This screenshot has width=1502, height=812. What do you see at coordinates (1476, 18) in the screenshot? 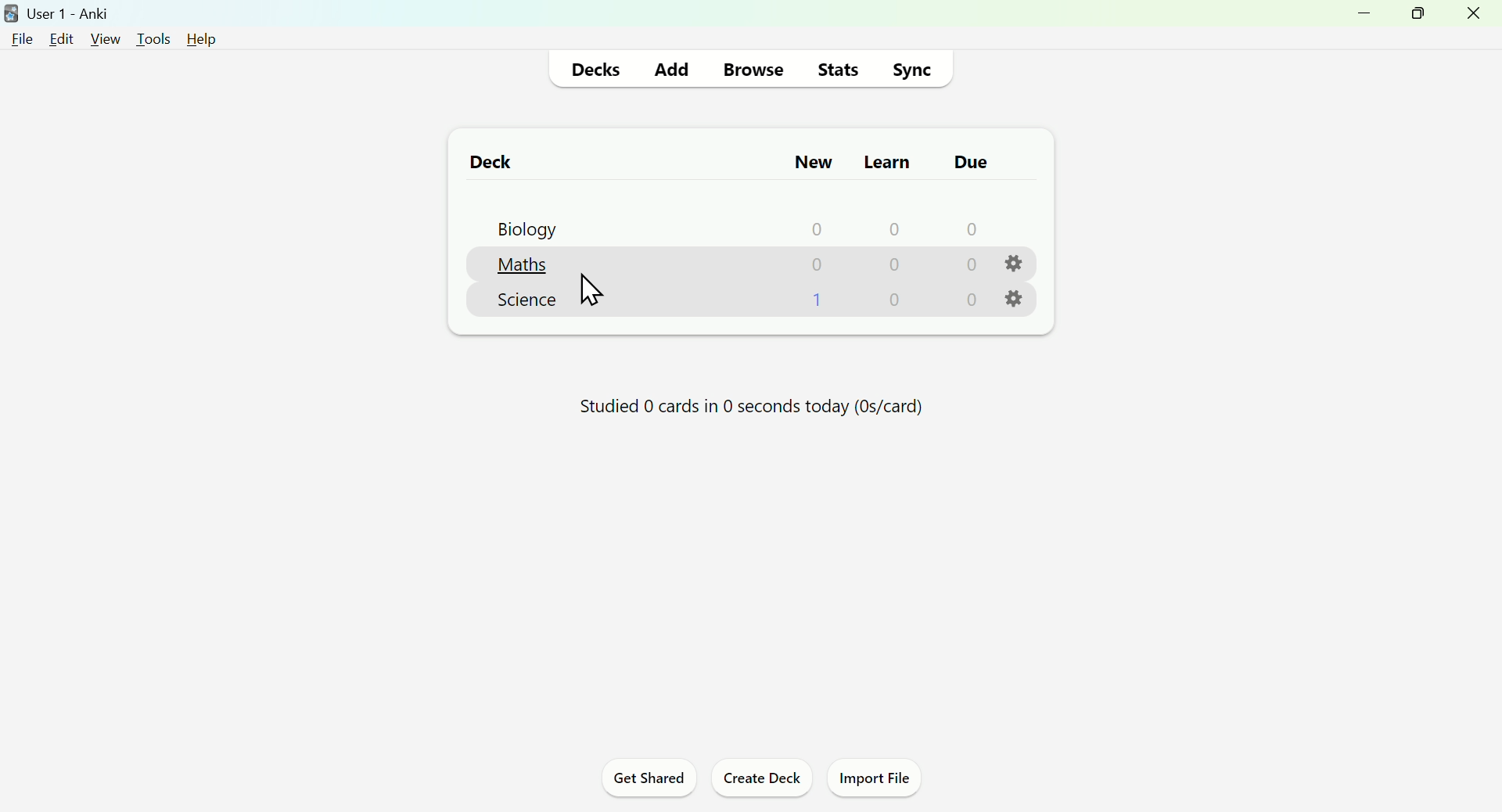
I see `Close` at bounding box center [1476, 18].